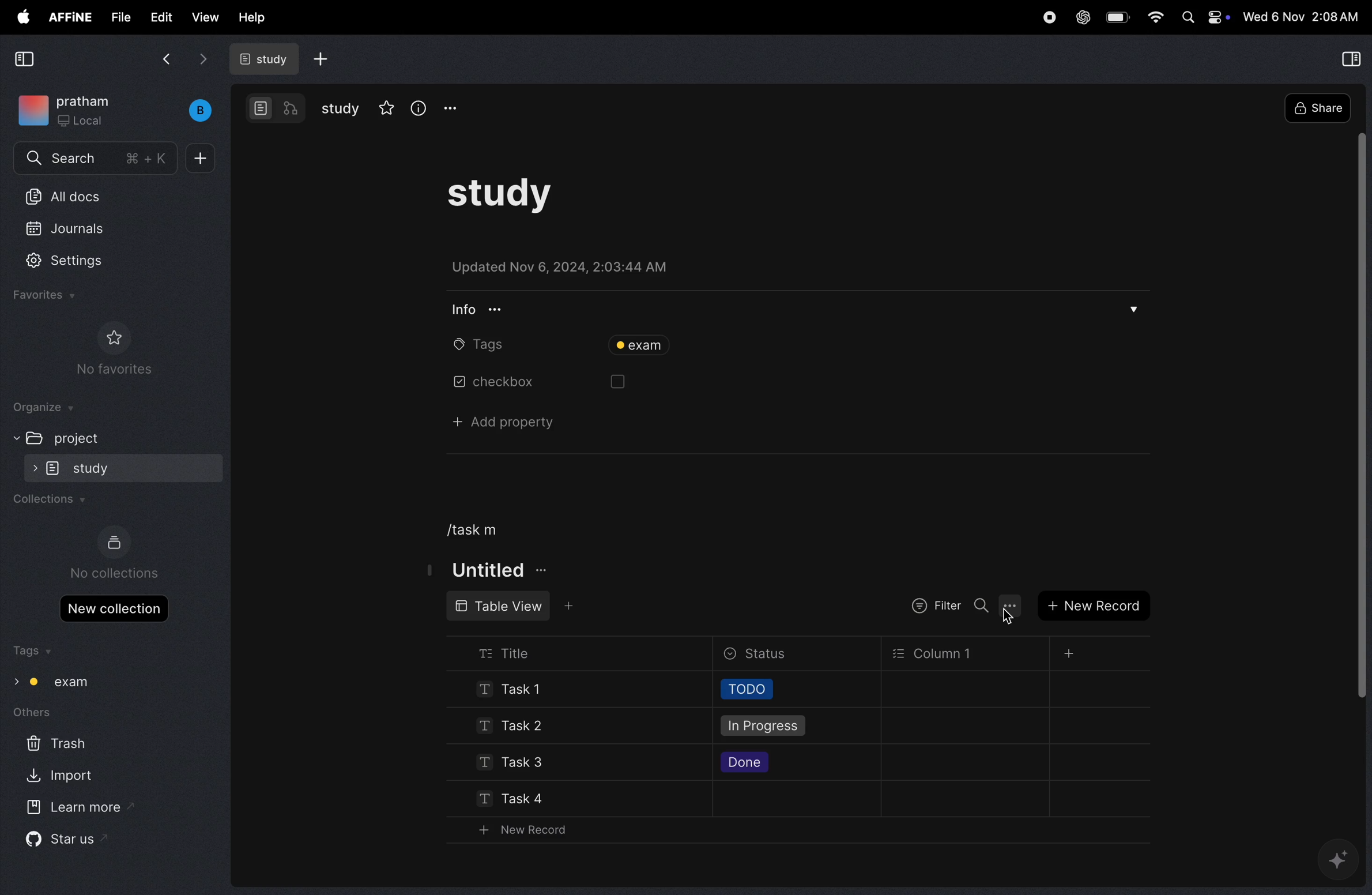 This screenshot has width=1372, height=895. What do you see at coordinates (518, 650) in the screenshot?
I see `title` at bounding box center [518, 650].